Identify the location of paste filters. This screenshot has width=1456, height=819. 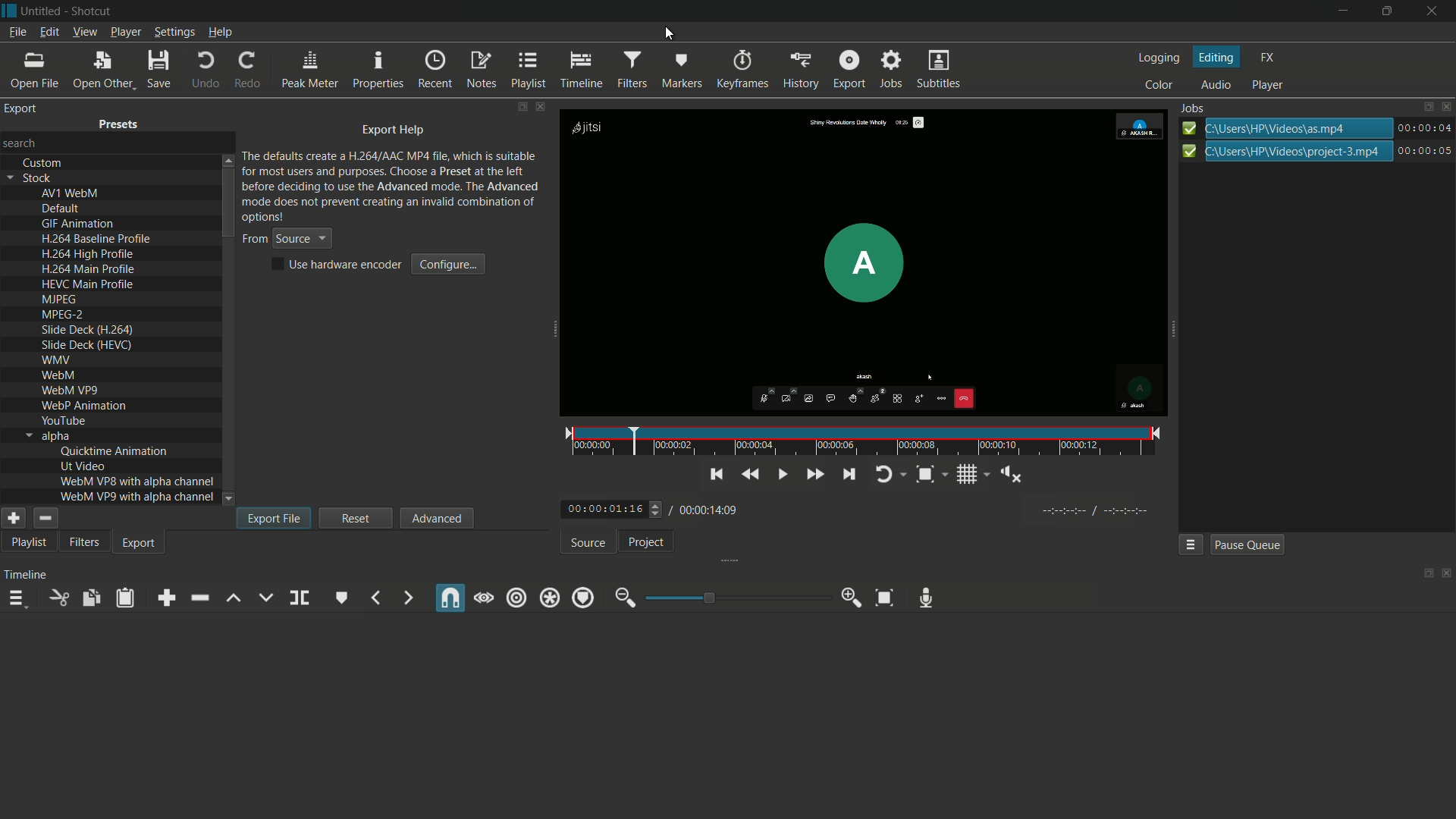
(125, 599).